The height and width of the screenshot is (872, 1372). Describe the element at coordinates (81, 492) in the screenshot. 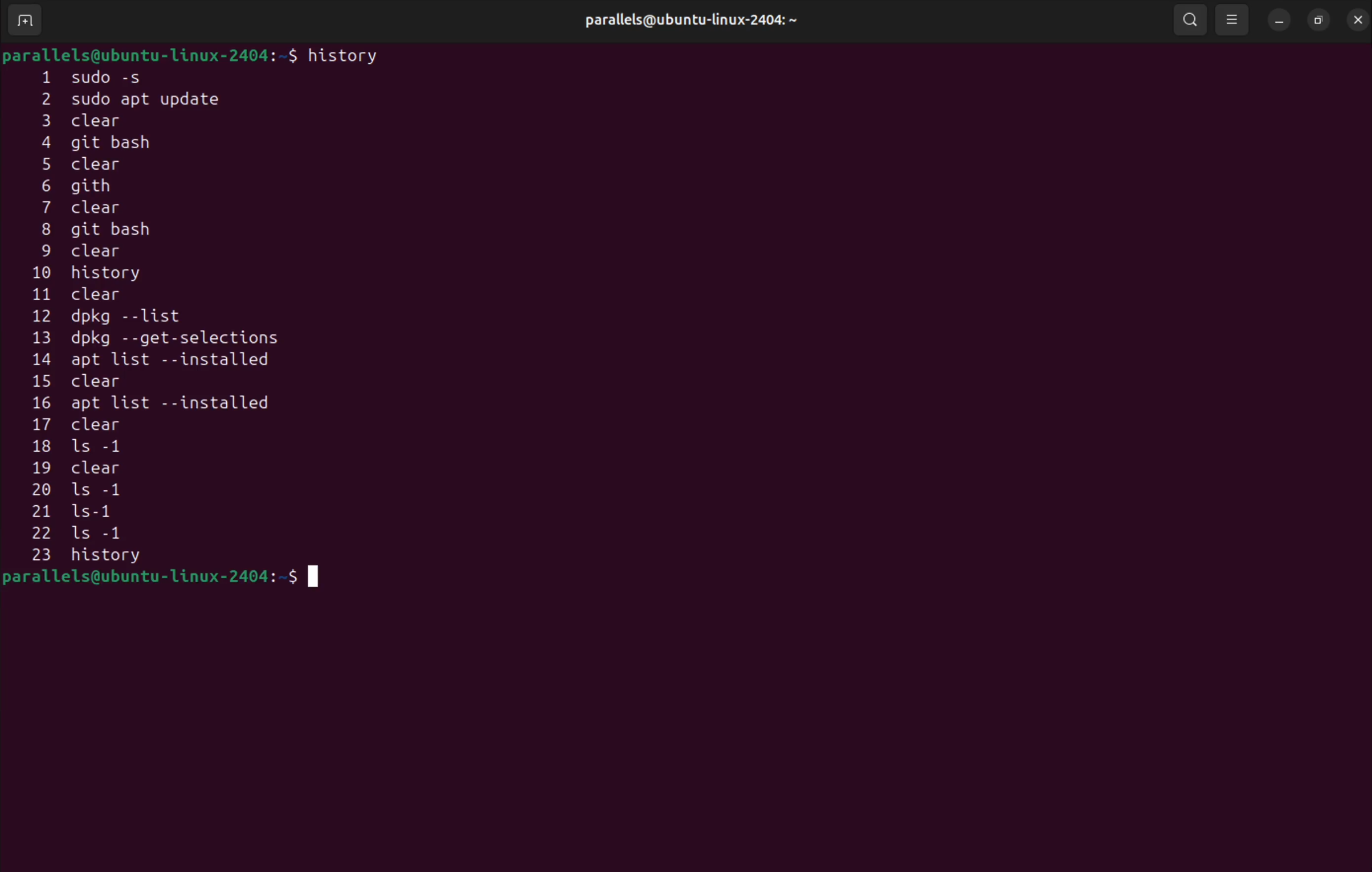

I see `20 ls -1` at that location.